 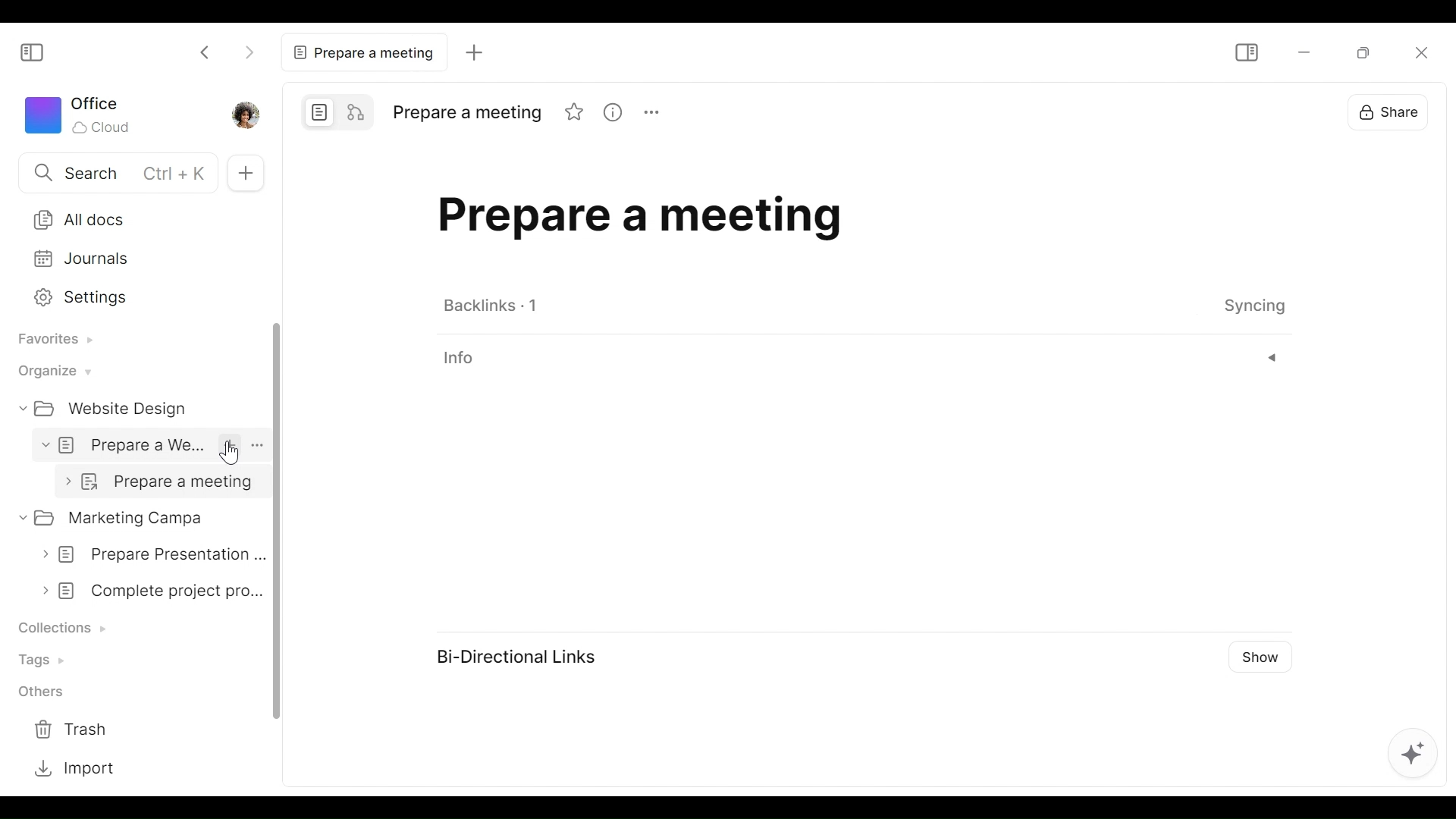 What do you see at coordinates (234, 452) in the screenshot?
I see `Cursor` at bounding box center [234, 452].